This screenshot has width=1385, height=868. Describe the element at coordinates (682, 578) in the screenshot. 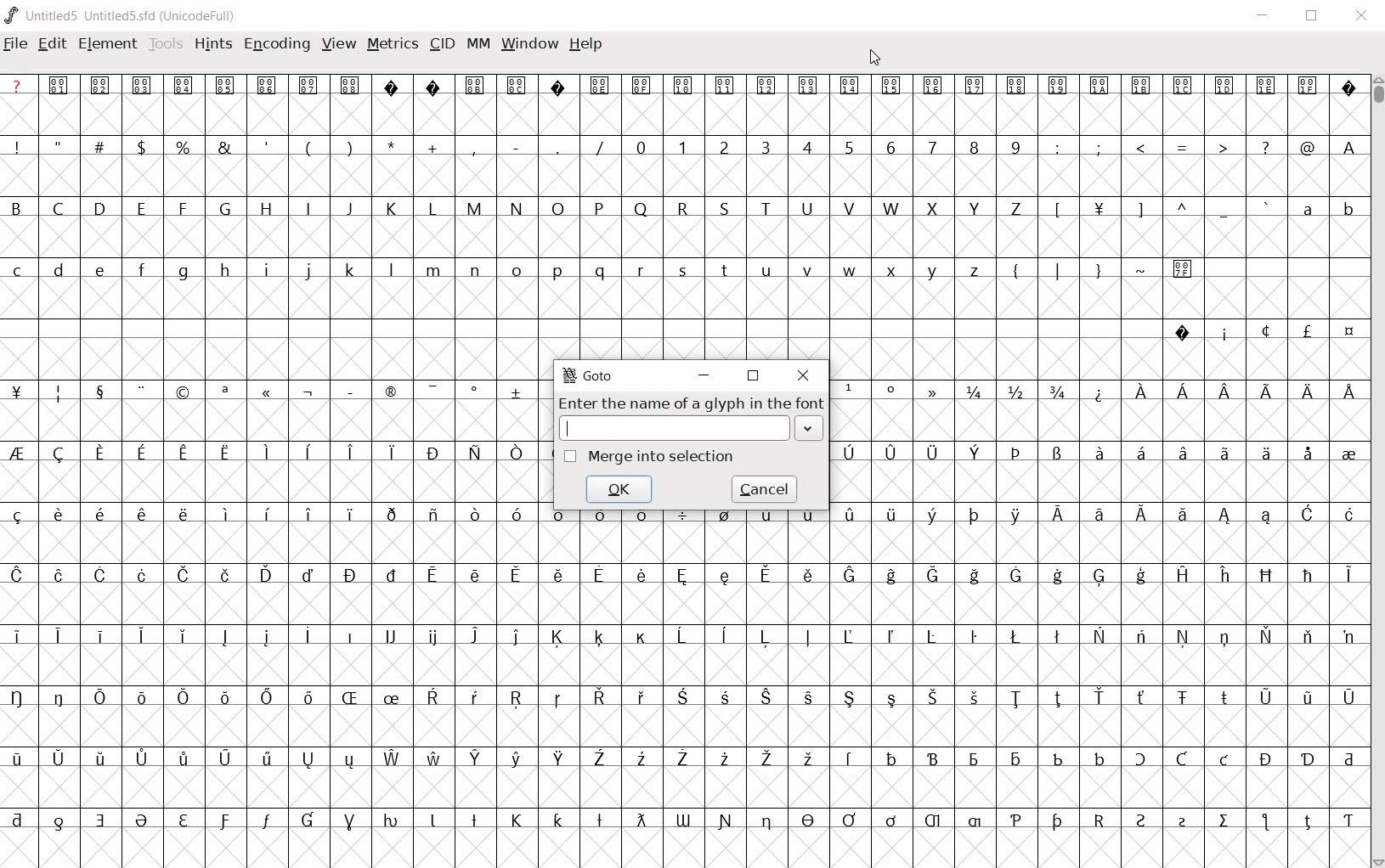

I see `Symbol` at that location.